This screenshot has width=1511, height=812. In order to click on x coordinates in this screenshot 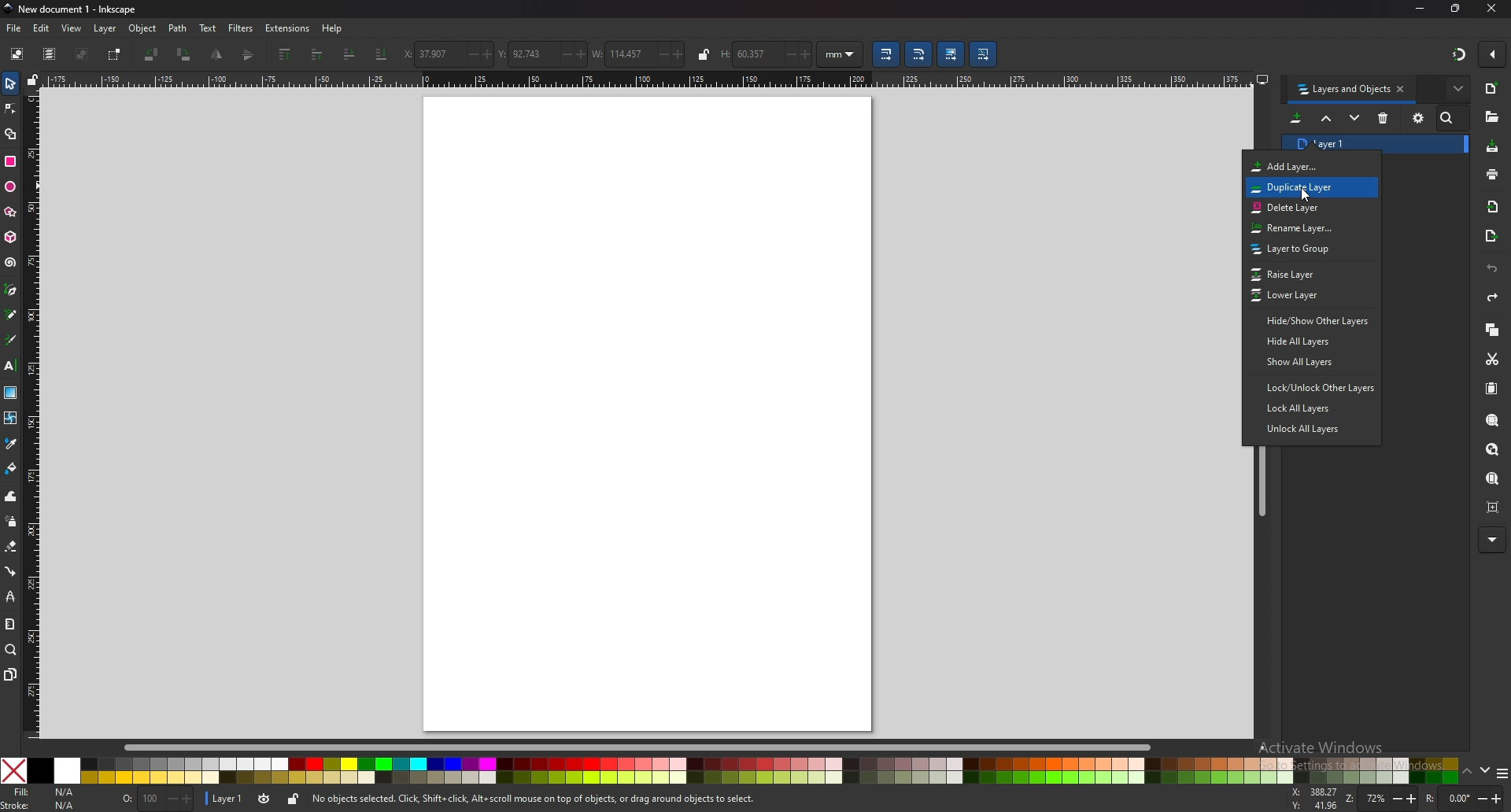, I will do `click(427, 54)`.